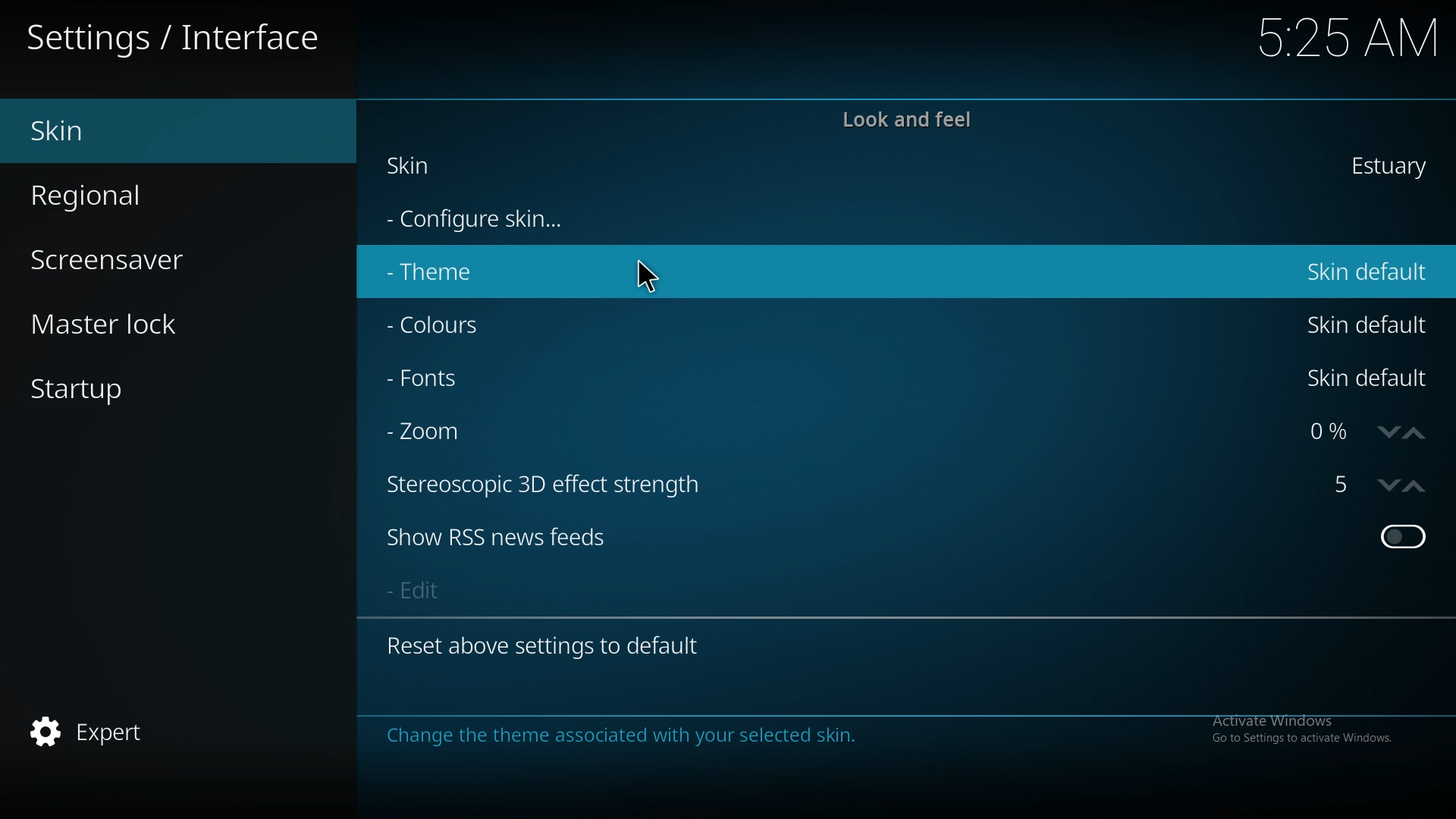 The width and height of the screenshot is (1456, 819). Describe the element at coordinates (1332, 37) in the screenshot. I see `time` at that location.